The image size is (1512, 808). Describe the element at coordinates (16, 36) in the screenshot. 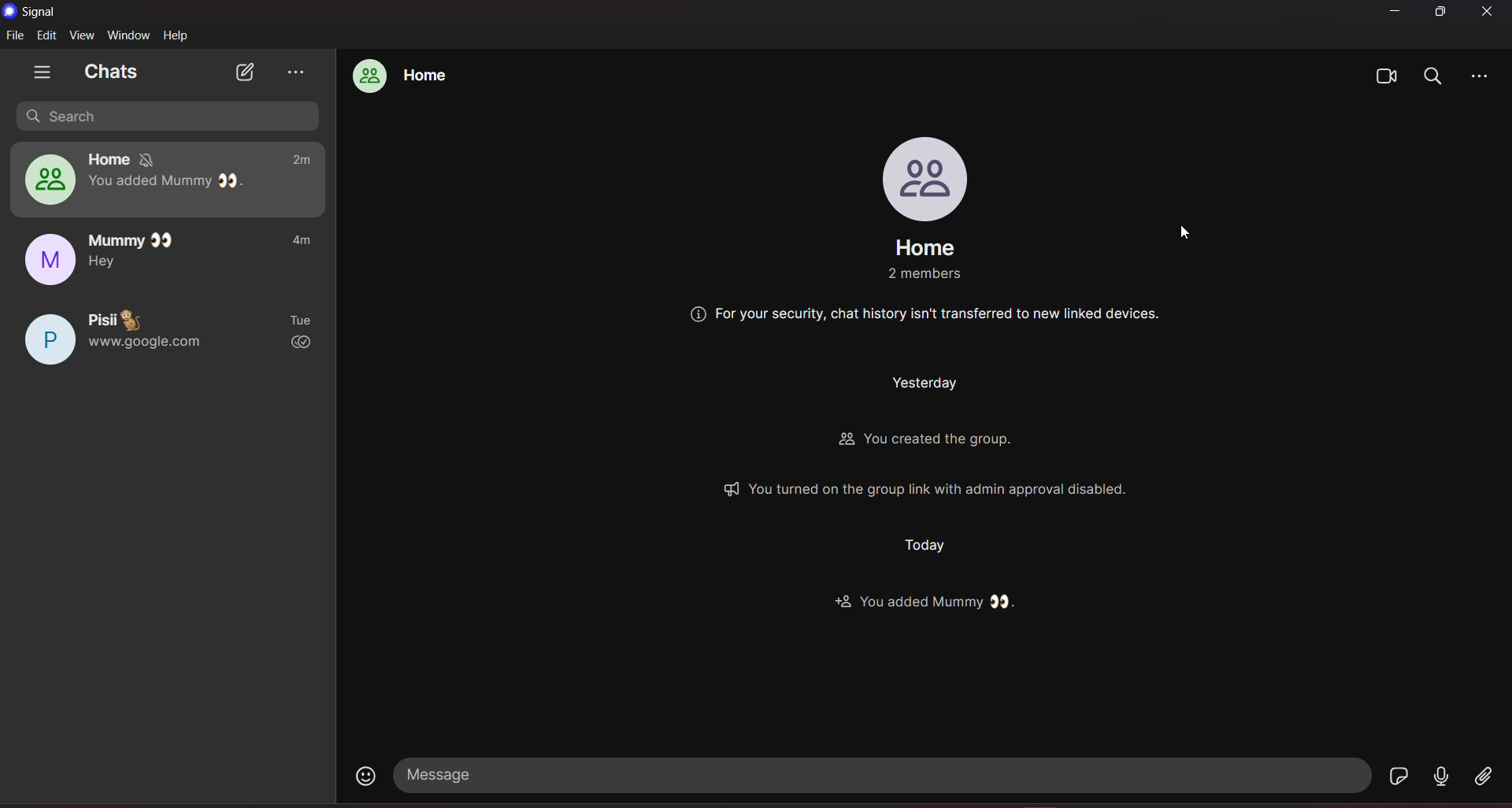

I see `file` at that location.